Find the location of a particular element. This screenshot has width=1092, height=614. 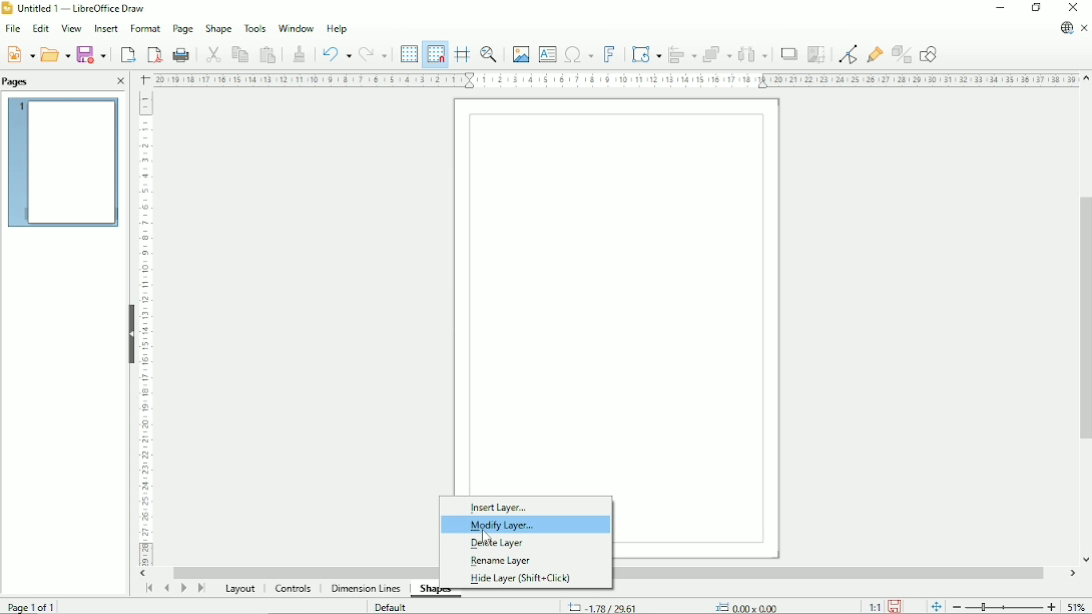

Hide layer is located at coordinates (522, 579).